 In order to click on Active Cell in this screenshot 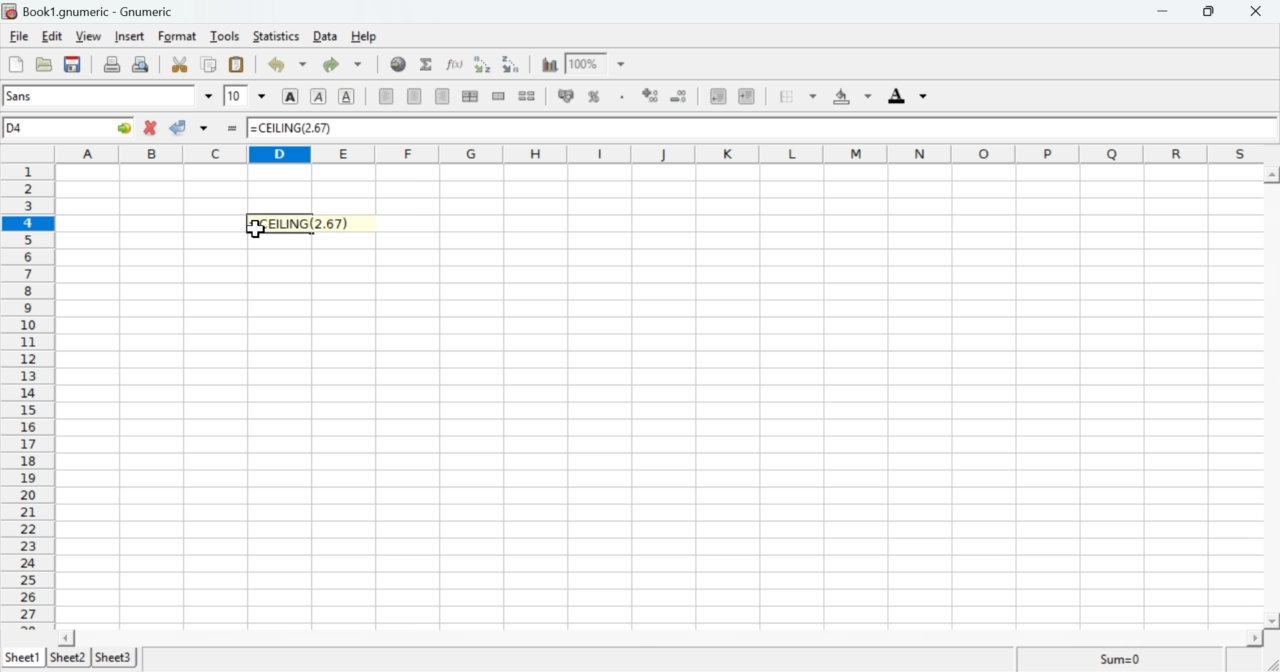, I will do `click(70, 128)`.